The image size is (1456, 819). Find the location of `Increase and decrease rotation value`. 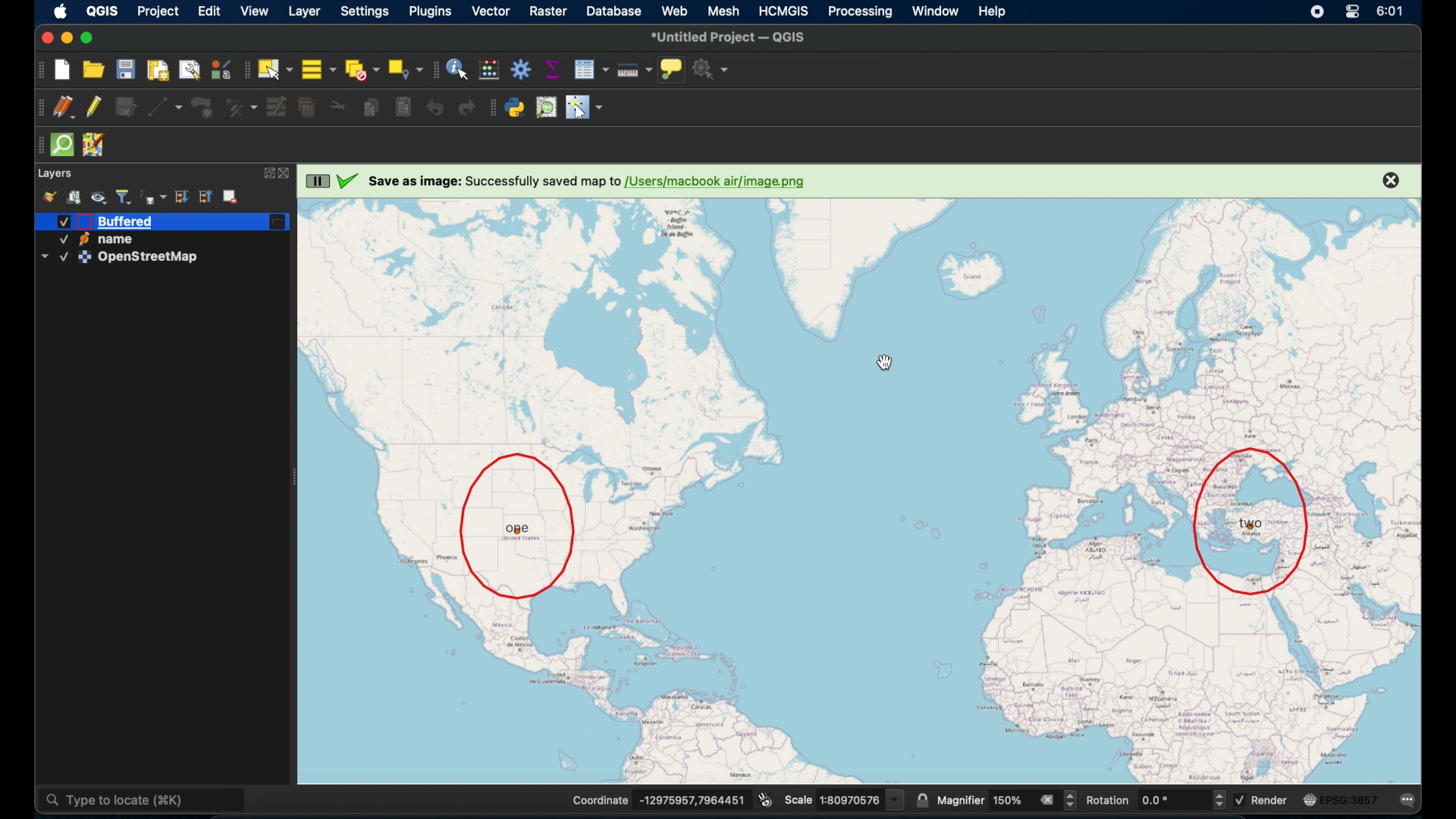

Increase and decrease rotation value is located at coordinates (1218, 802).